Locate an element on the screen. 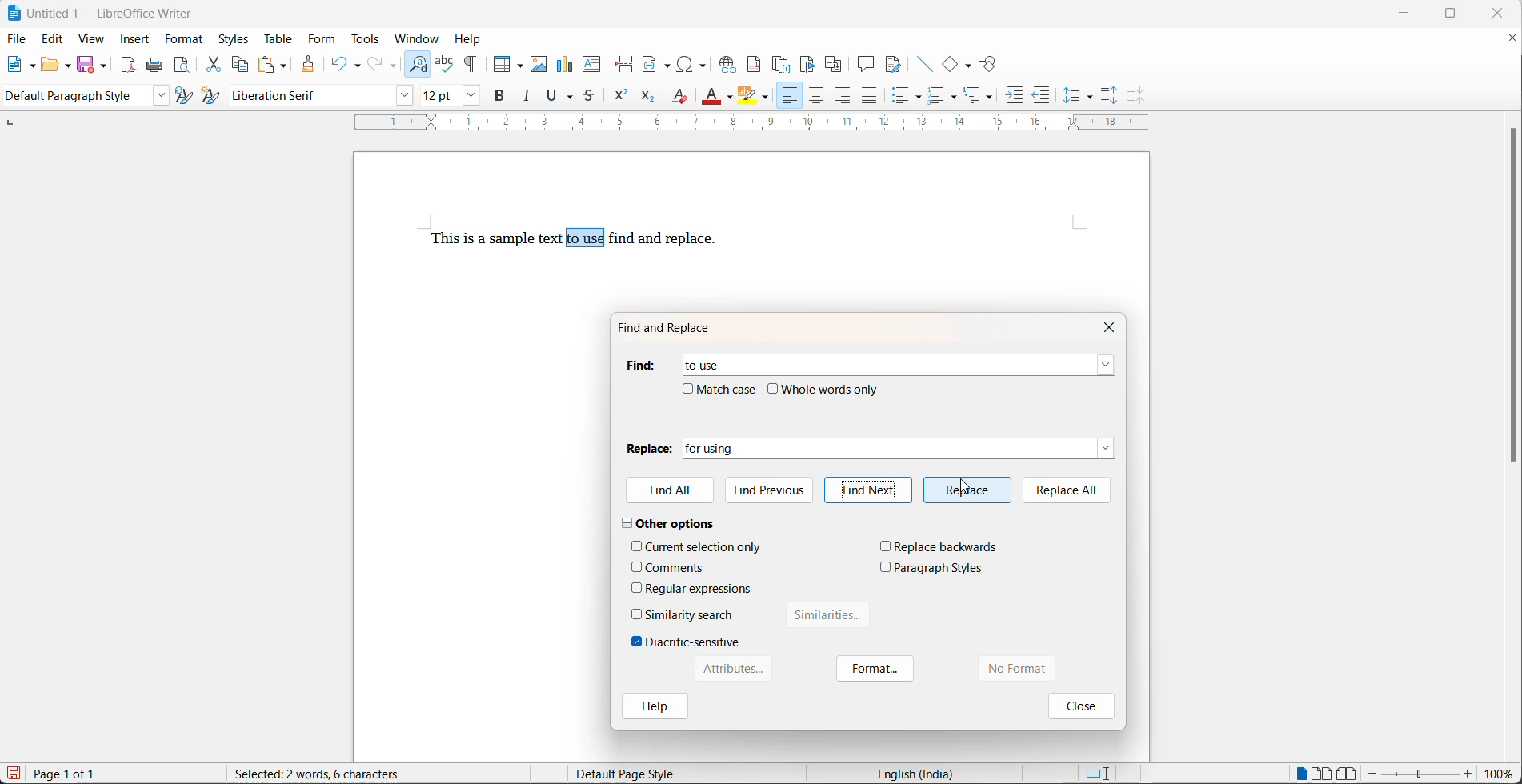 The height and width of the screenshot is (784, 1522). strike through is located at coordinates (591, 98).